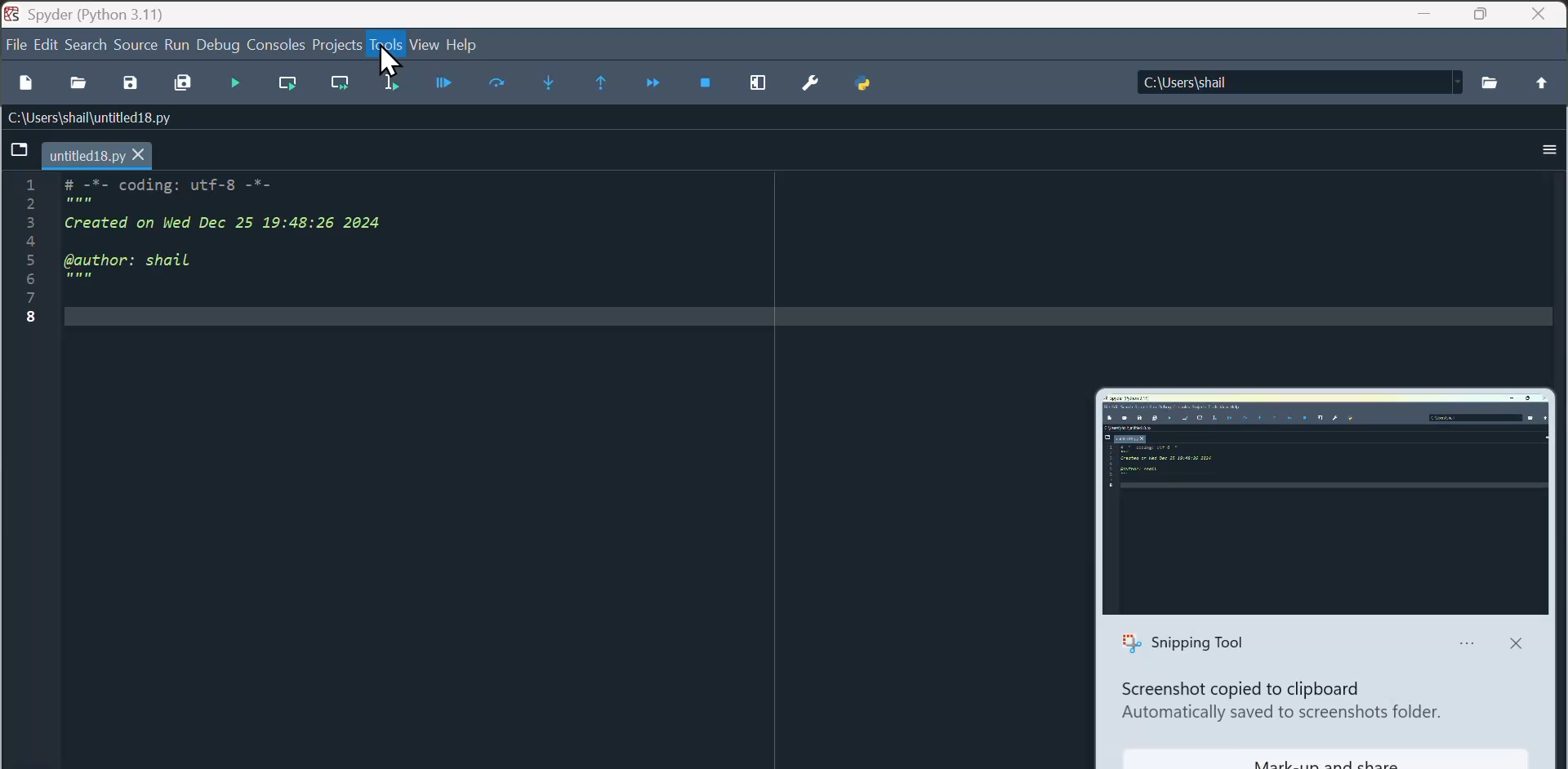 This screenshot has width=1568, height=769. What do you see at coordinates (277, 44) in the screenshot?
I see `Console` at bounding box center [277, 44].